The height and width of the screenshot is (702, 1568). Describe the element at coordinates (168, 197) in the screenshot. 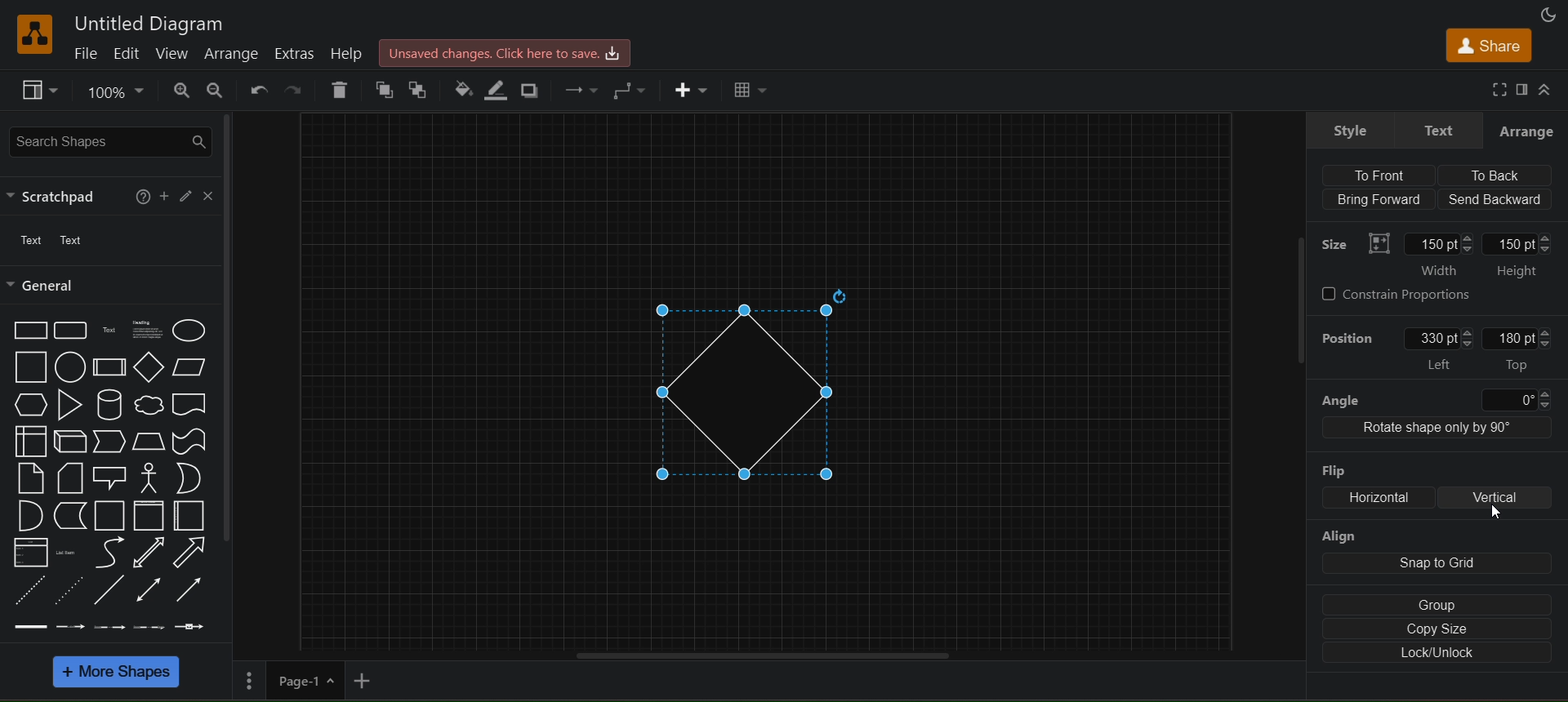

I see `add` at that location.